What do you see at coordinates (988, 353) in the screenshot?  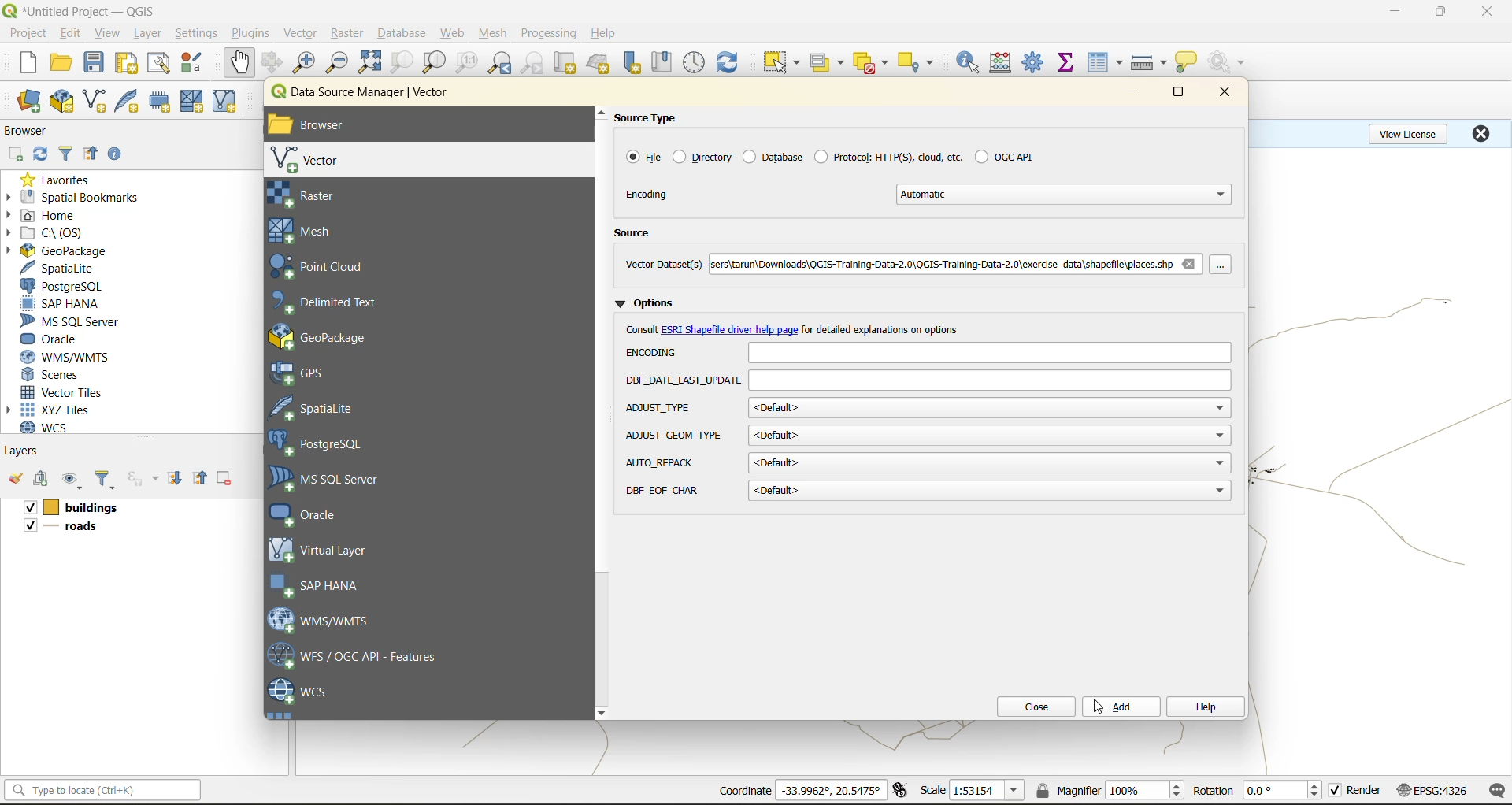 I see `encoding` at bounding box center [988, 353].